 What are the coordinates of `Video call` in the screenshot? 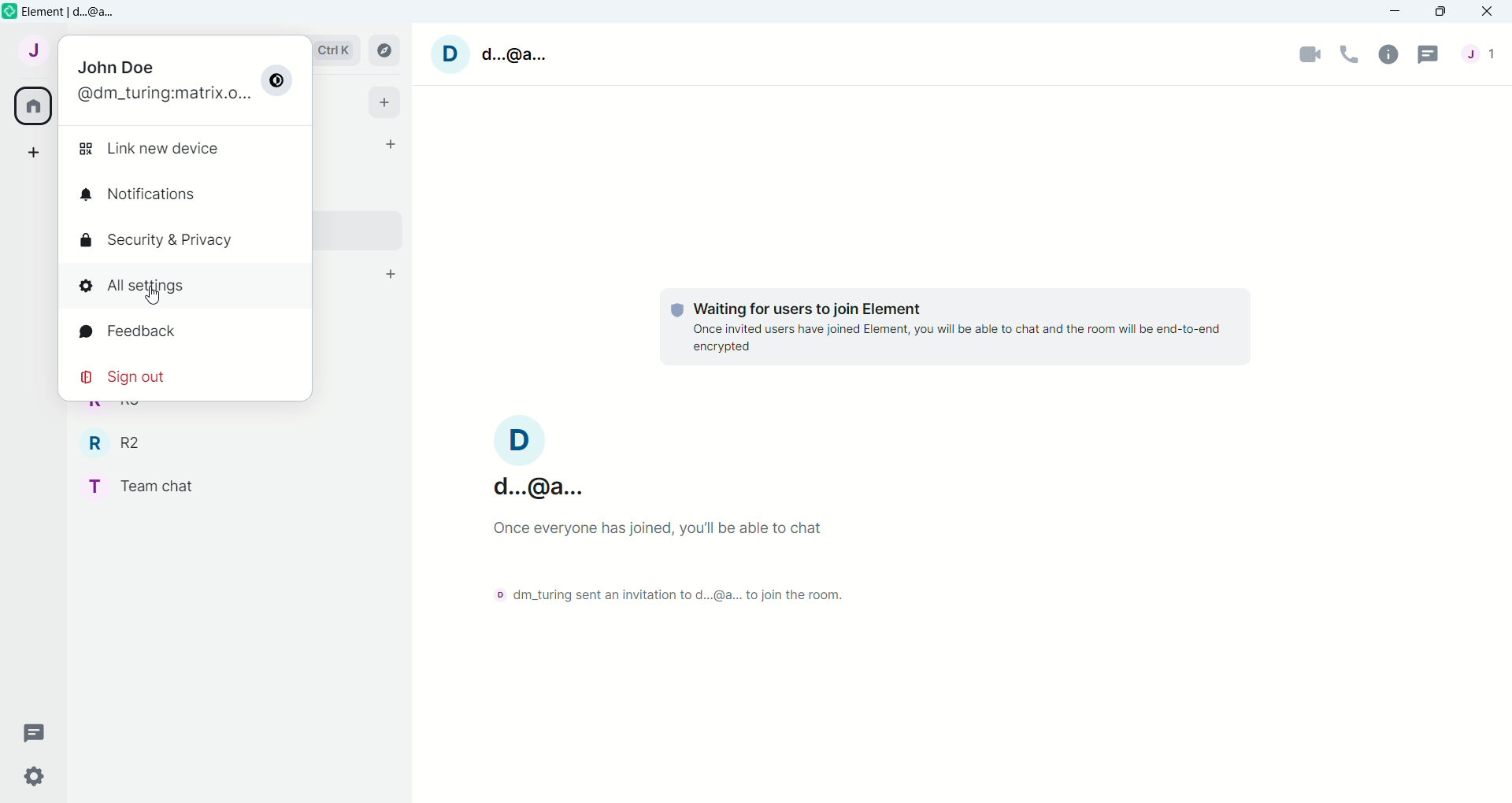 It's located at (1311, 54).